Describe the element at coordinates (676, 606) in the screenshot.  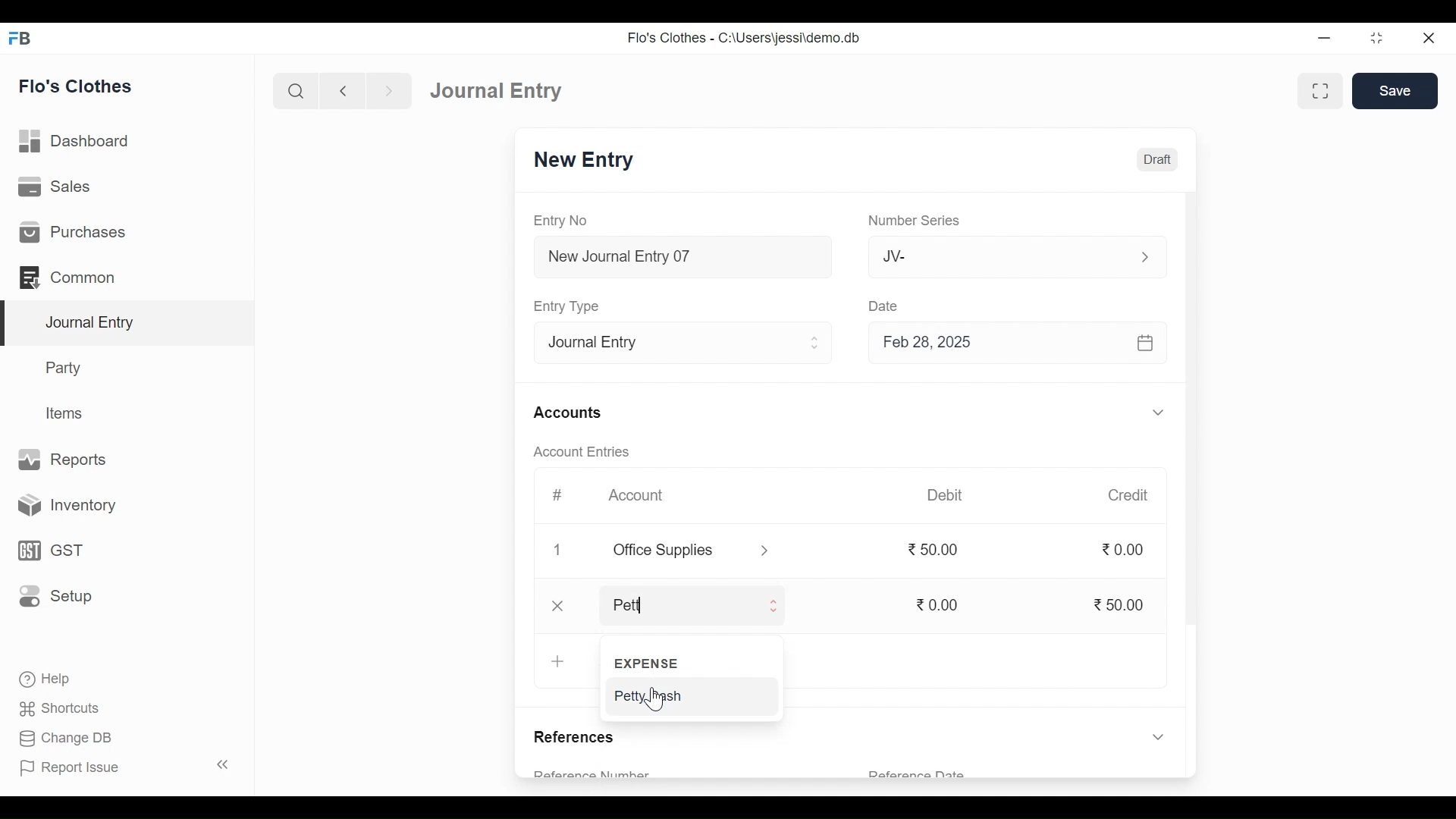
I see `Pett` at that location.